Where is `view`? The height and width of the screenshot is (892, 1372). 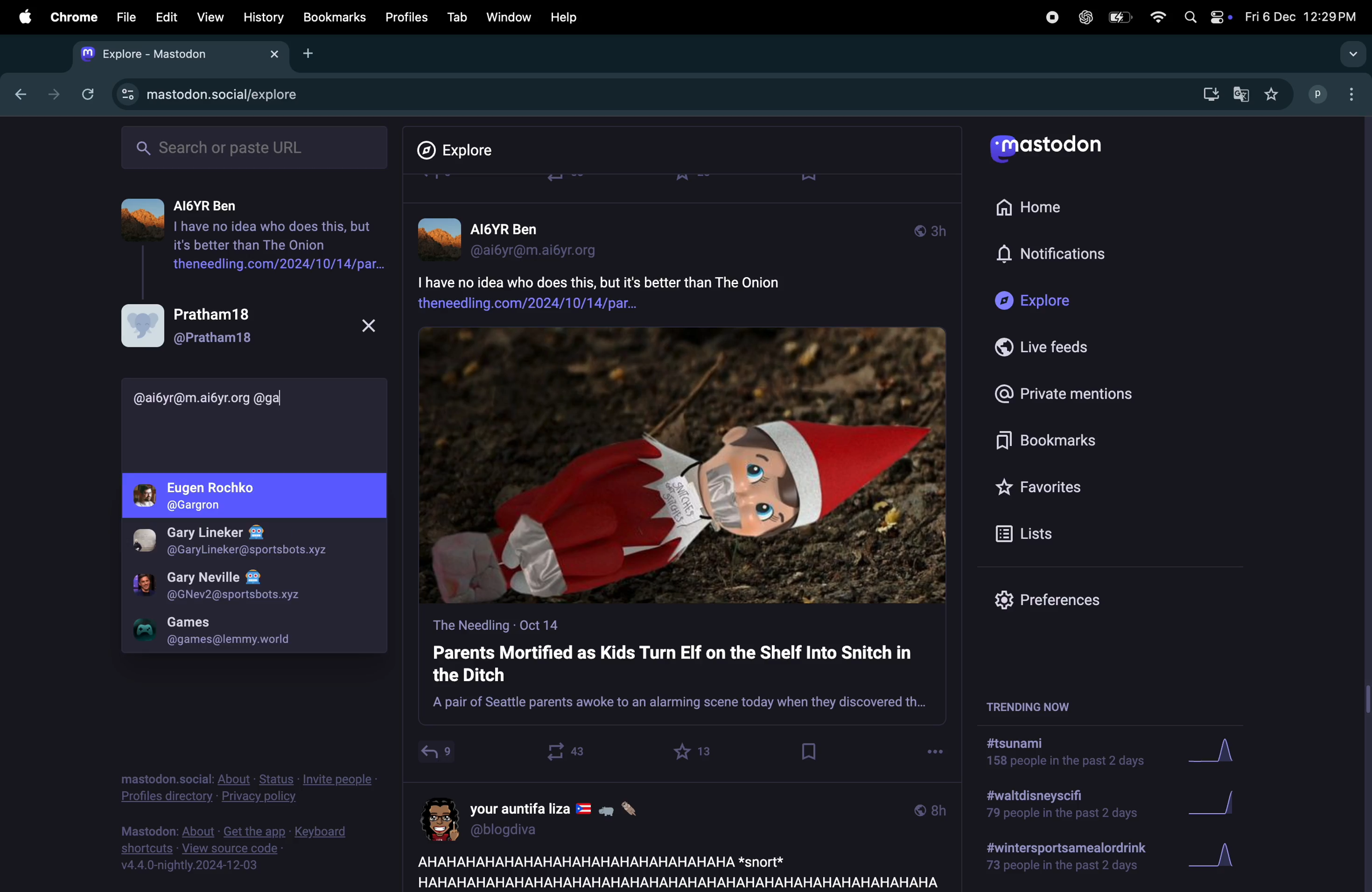 view is located at coordinates (207, 18).